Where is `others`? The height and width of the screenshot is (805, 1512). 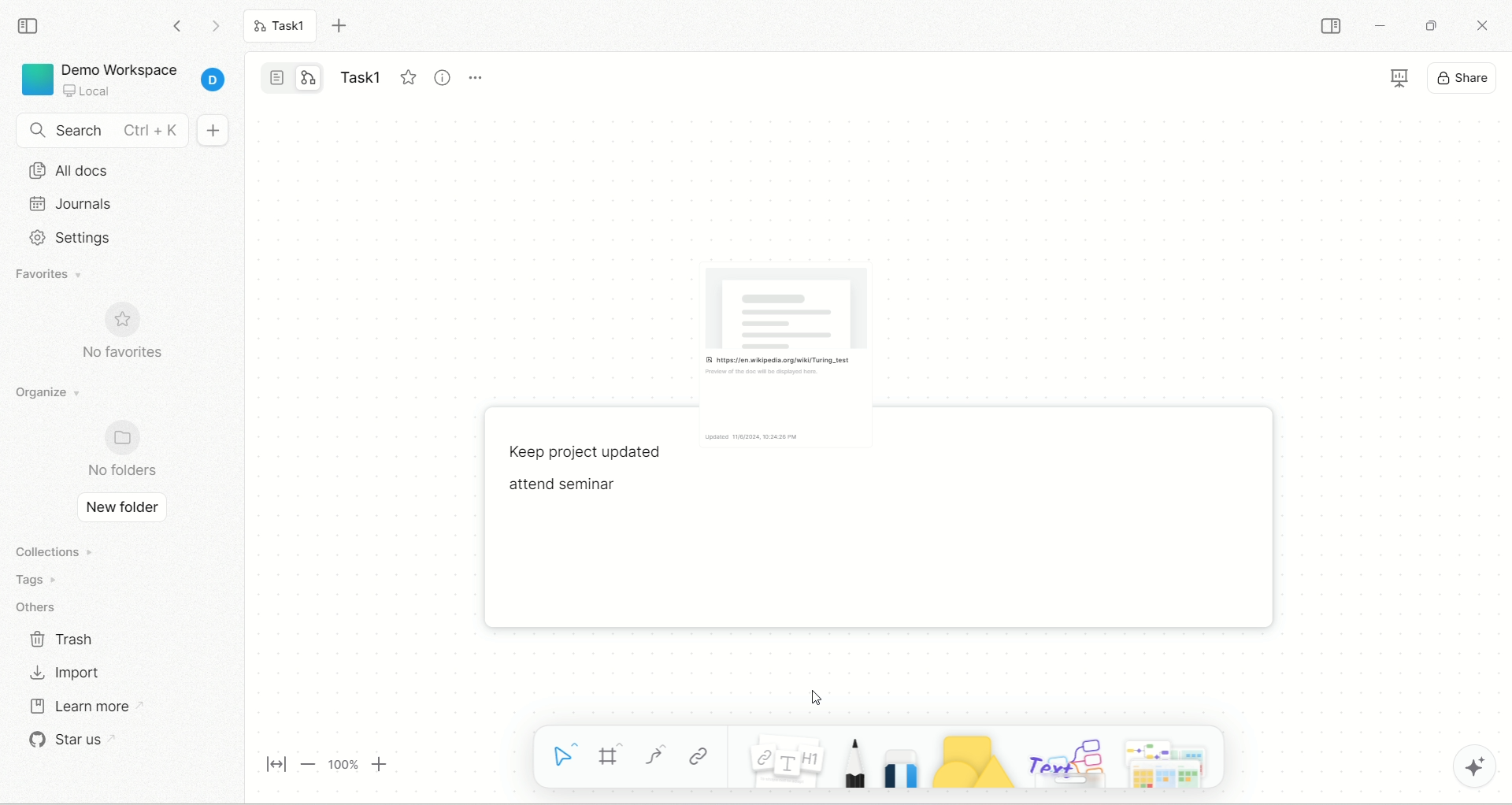 others is located at coordinates (1065, 760).